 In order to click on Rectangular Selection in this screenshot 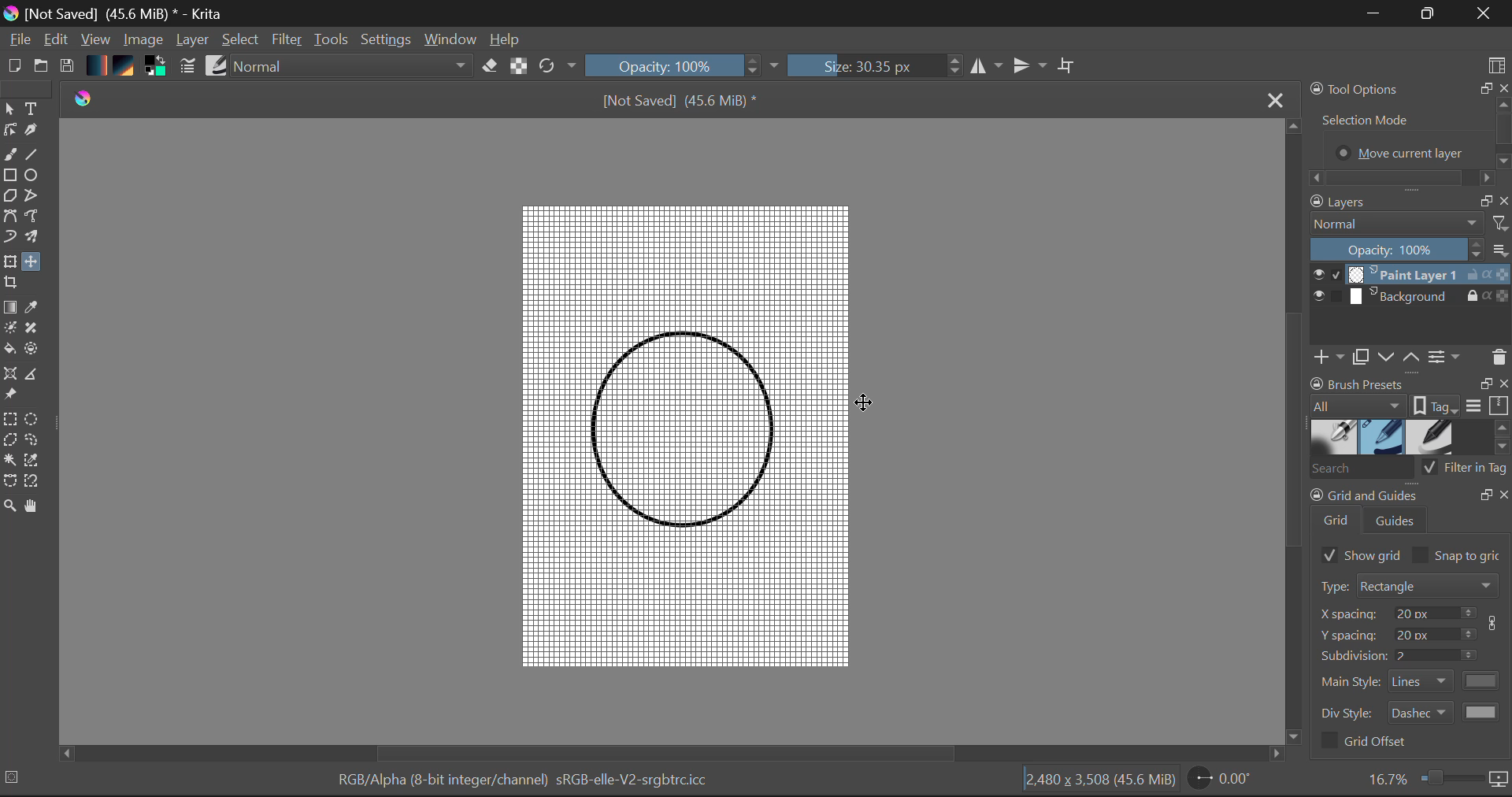, I will do `click(11, 419)`.